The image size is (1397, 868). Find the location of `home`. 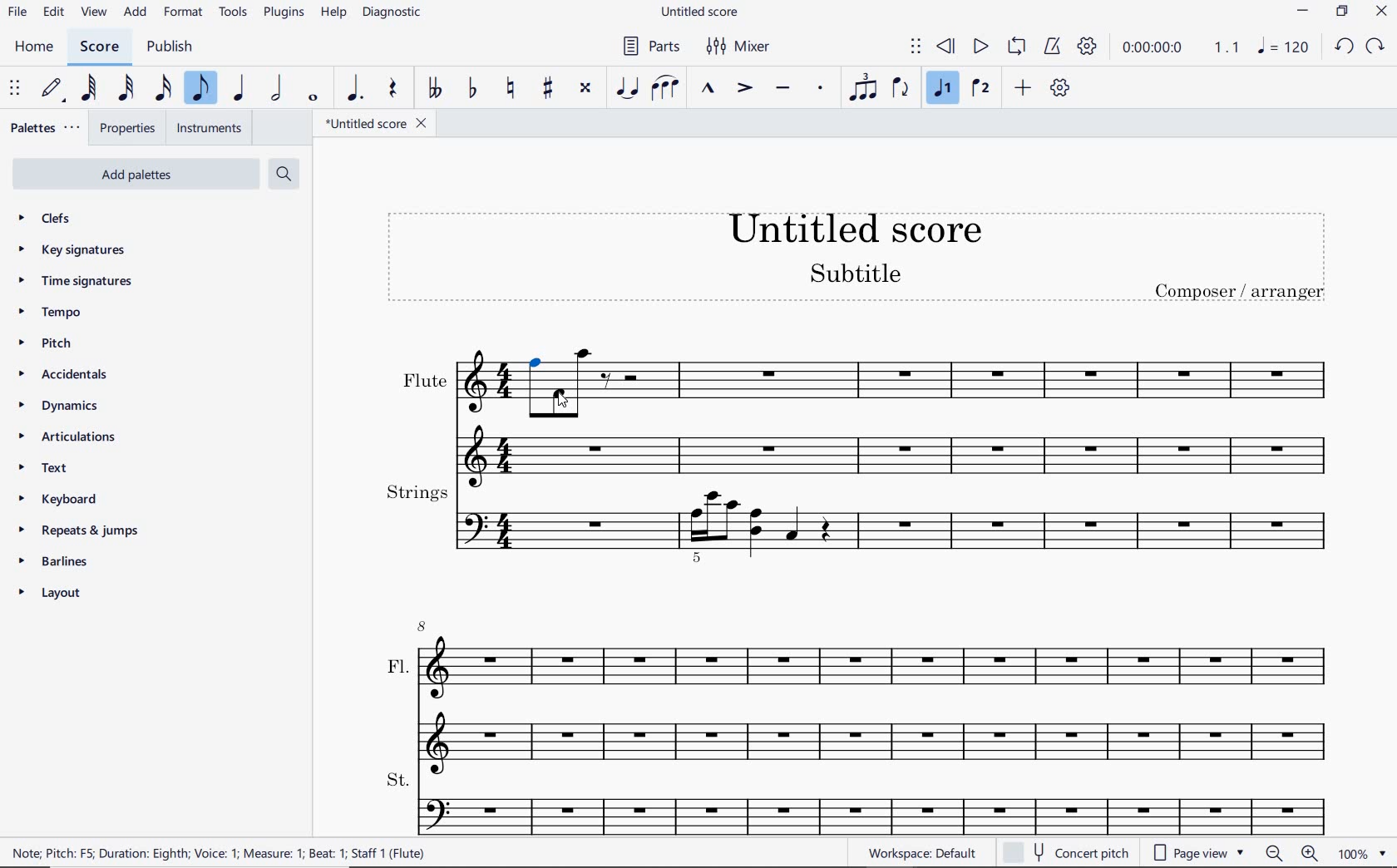

home is located at coordinates (37, 48).